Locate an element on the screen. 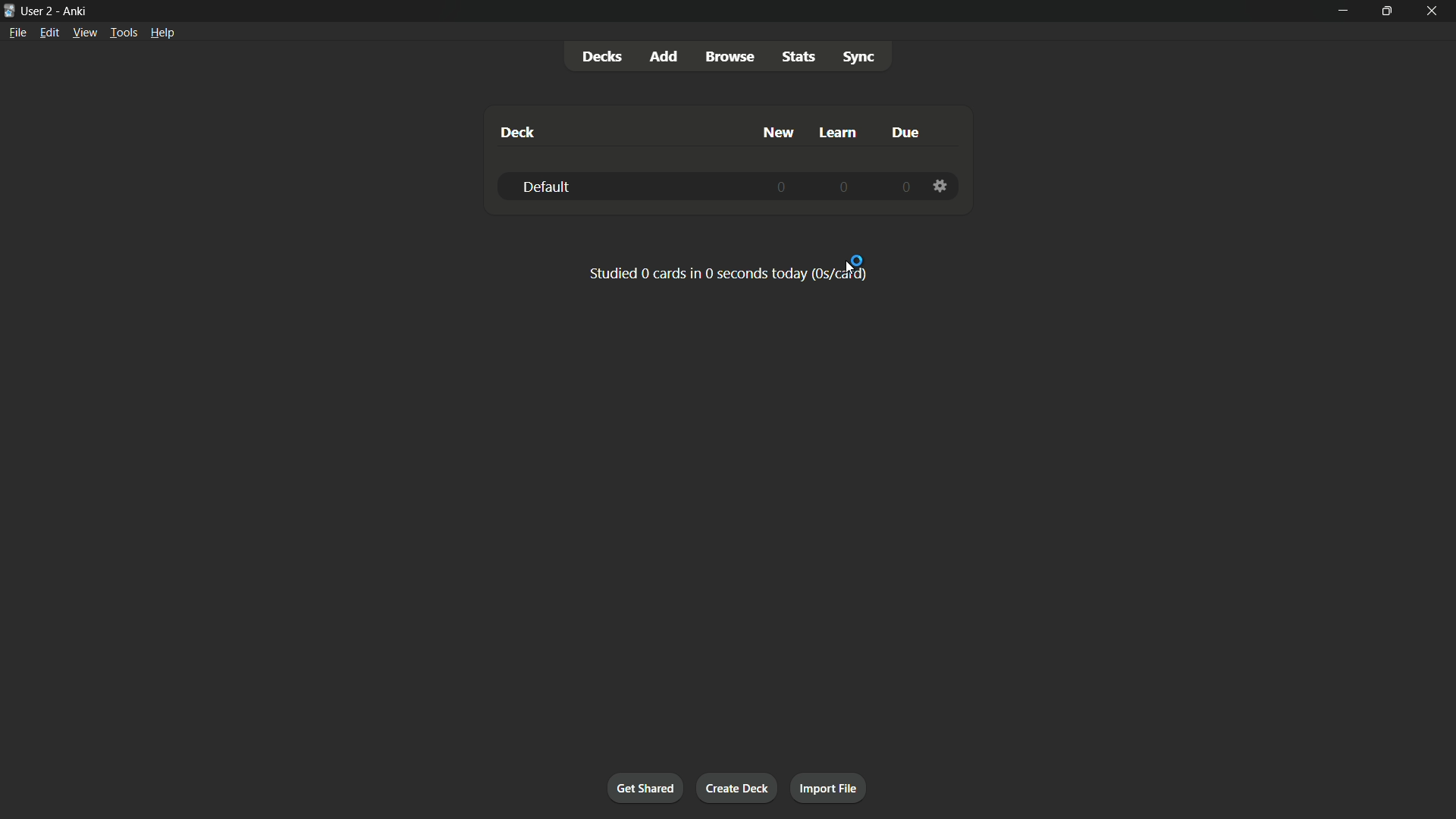  Stats is located at coordinates (798, 56).